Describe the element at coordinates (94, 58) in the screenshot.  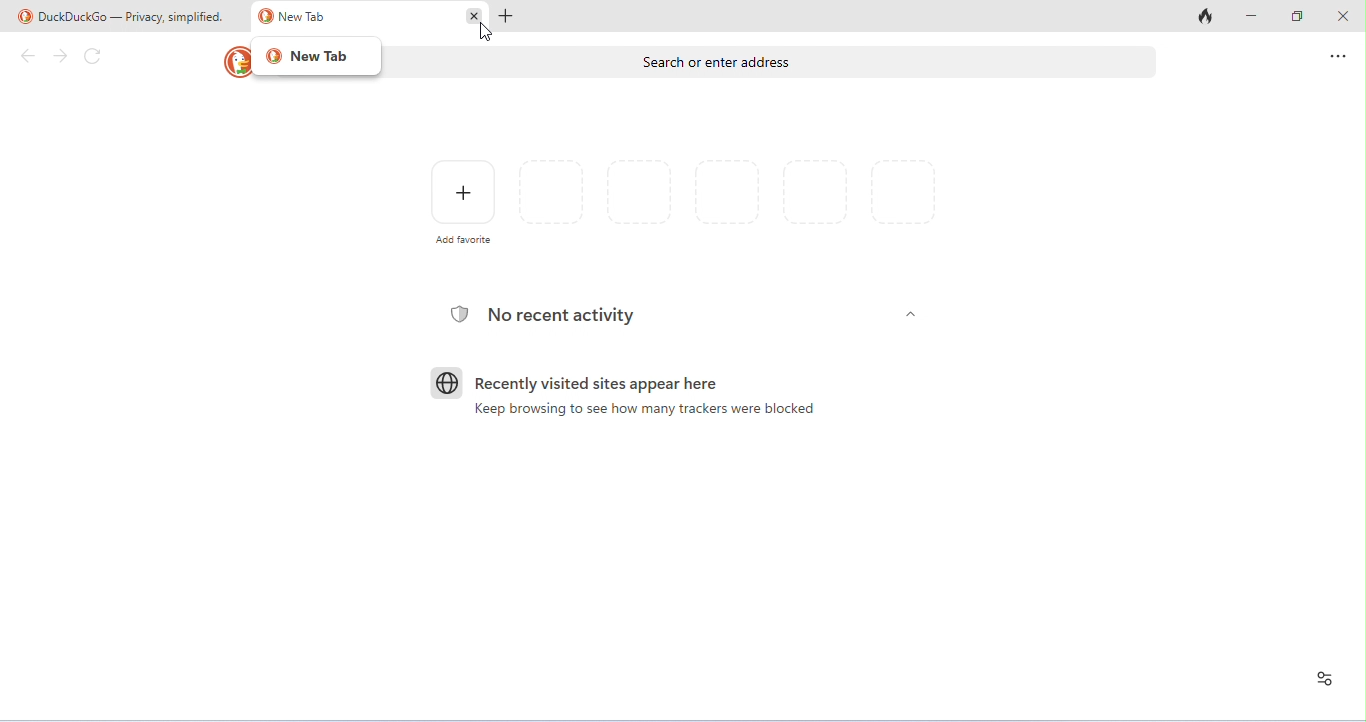
I see `refresh` at that location.